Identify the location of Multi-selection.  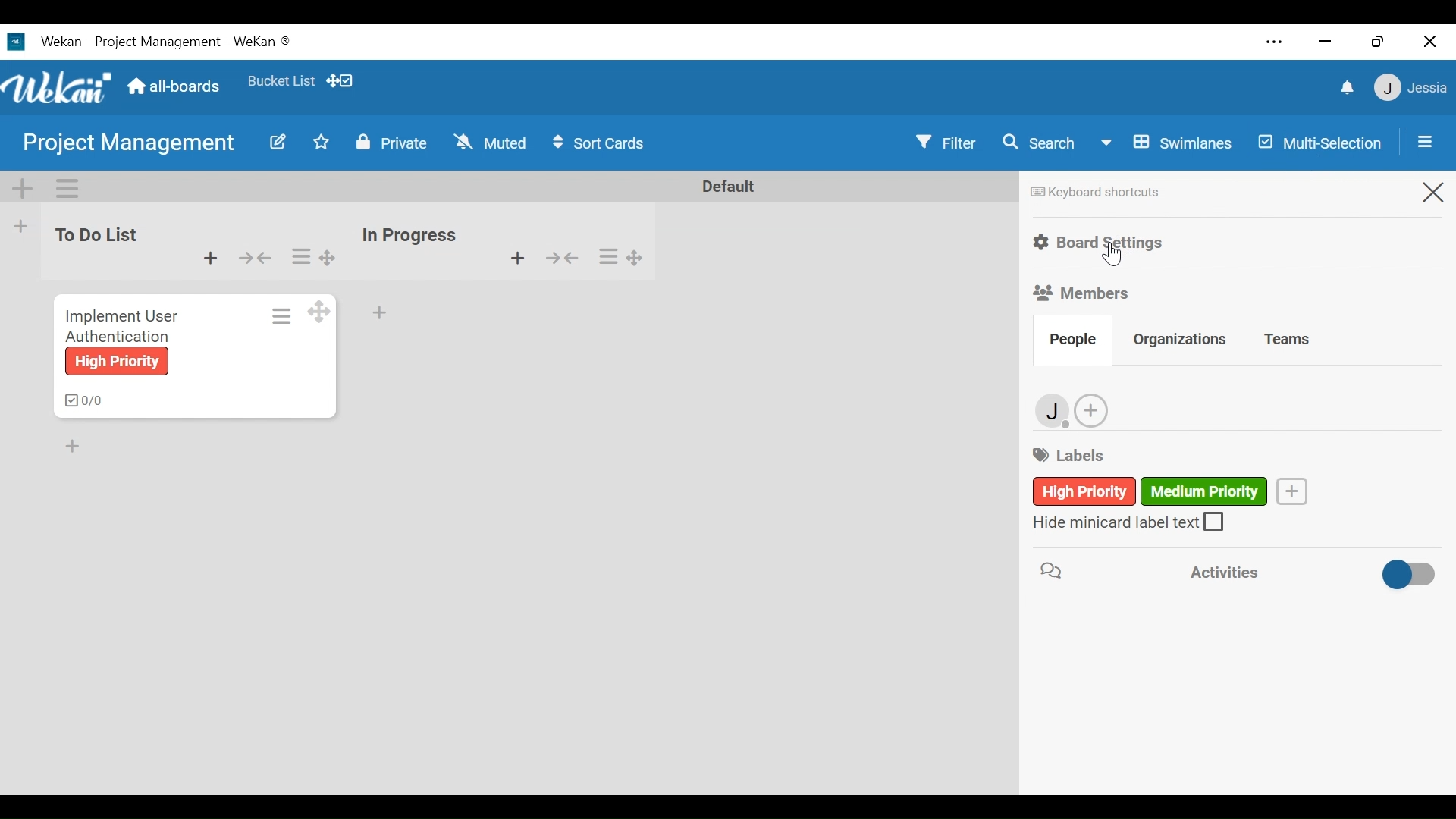
(1322, 141).